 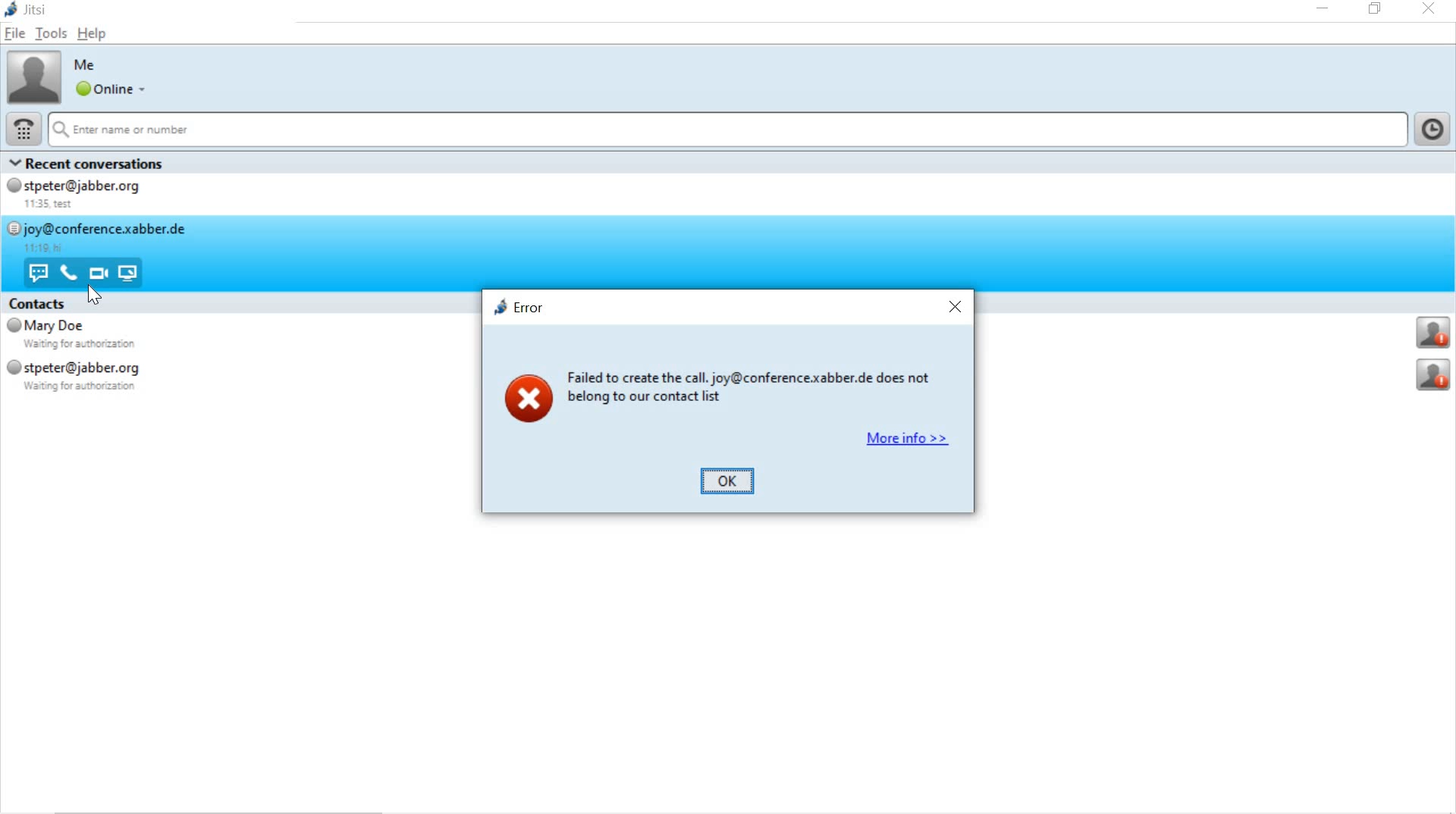 I want to click on Mary Doe, so click(x=45, y=326).